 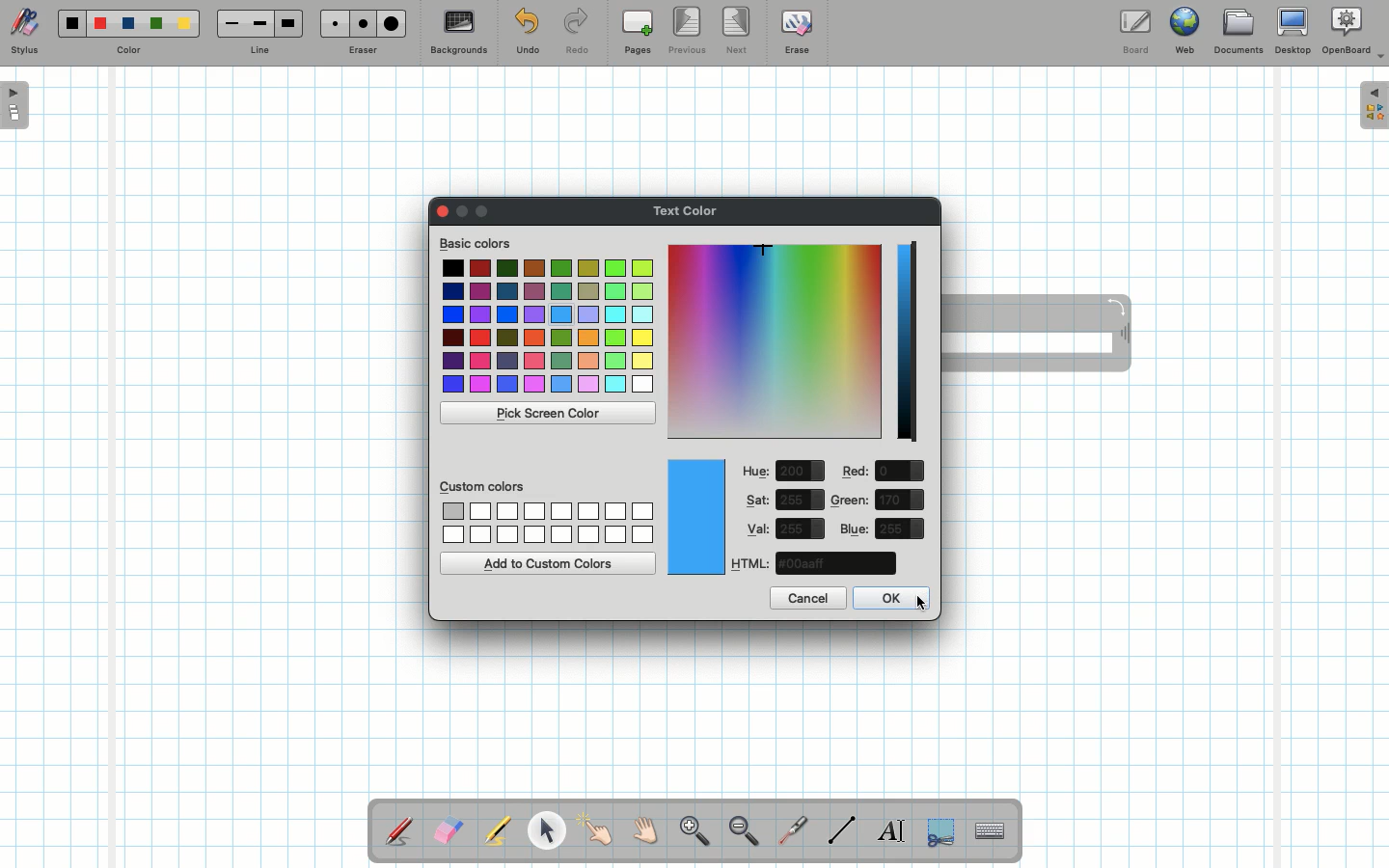 What do you see at coordinates (751, 563) in the screenshot?
I see `HTML` at bounding box center [751, 563].